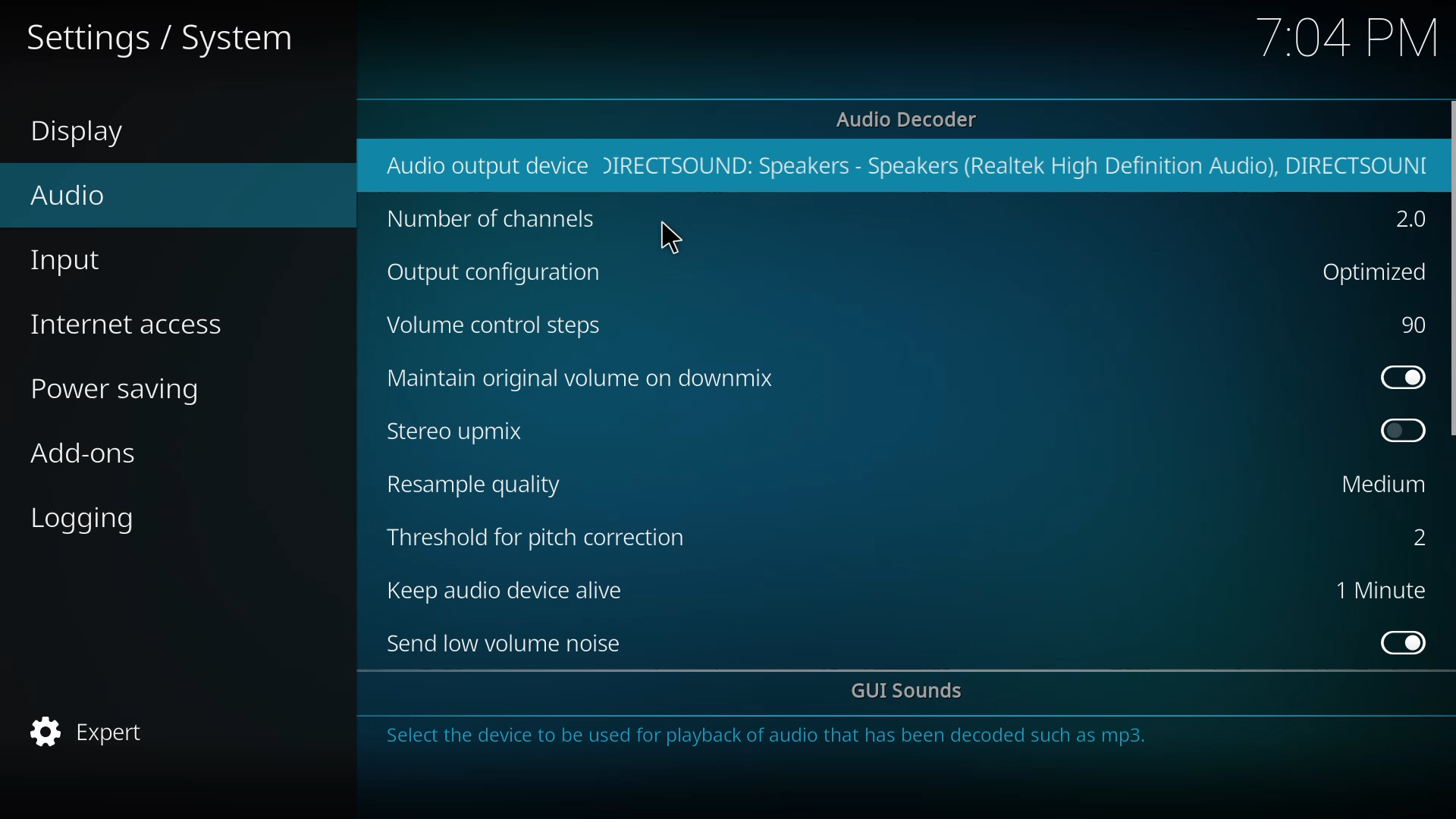 The image size is (1456, 819). Describe the element at coordinates (492, 221) in the screenshot. I see `number of channels` at that location.